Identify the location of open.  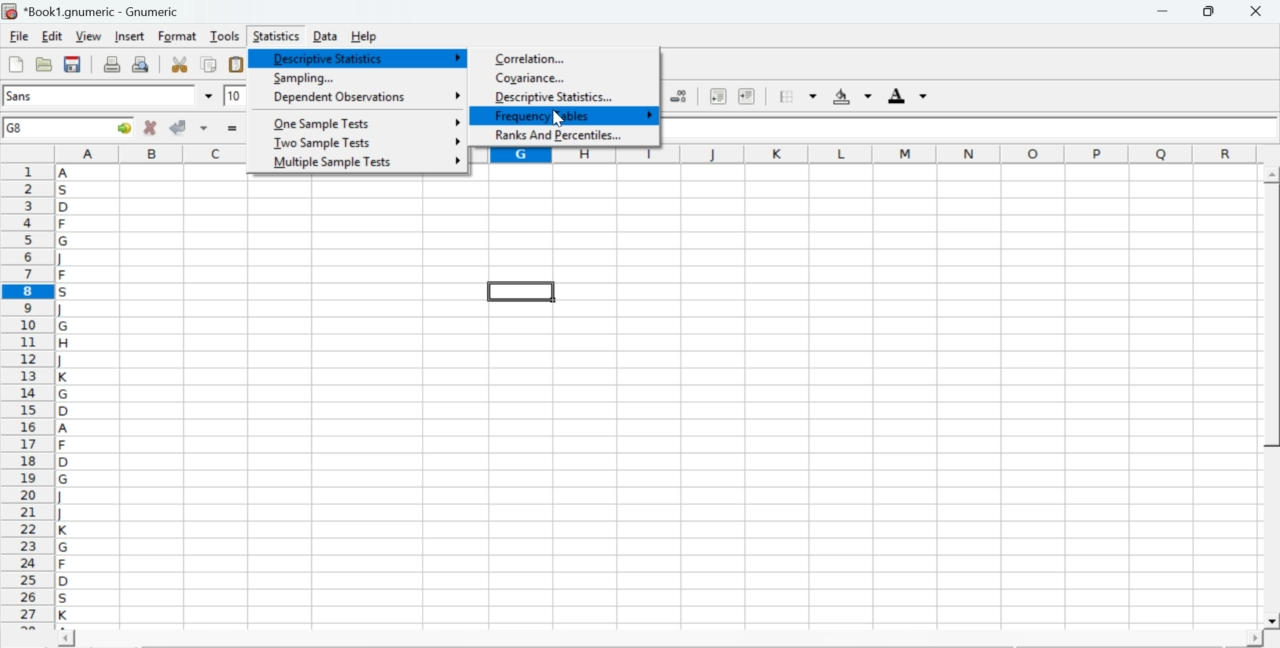
(42, 64).